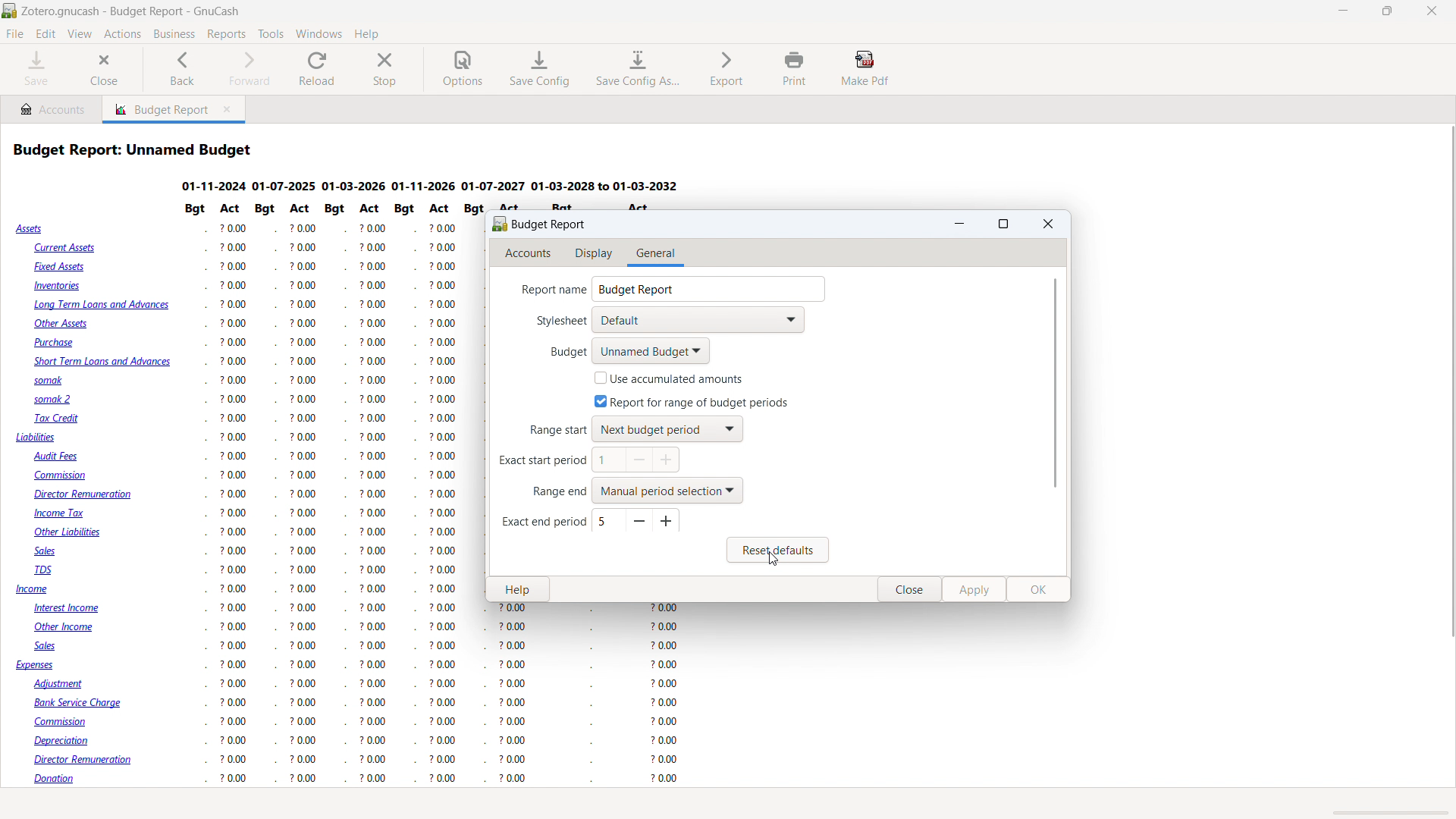 The width and height of the screenshot is (1456, 819). I want to click on Director Remuneration, so click(89, 760).